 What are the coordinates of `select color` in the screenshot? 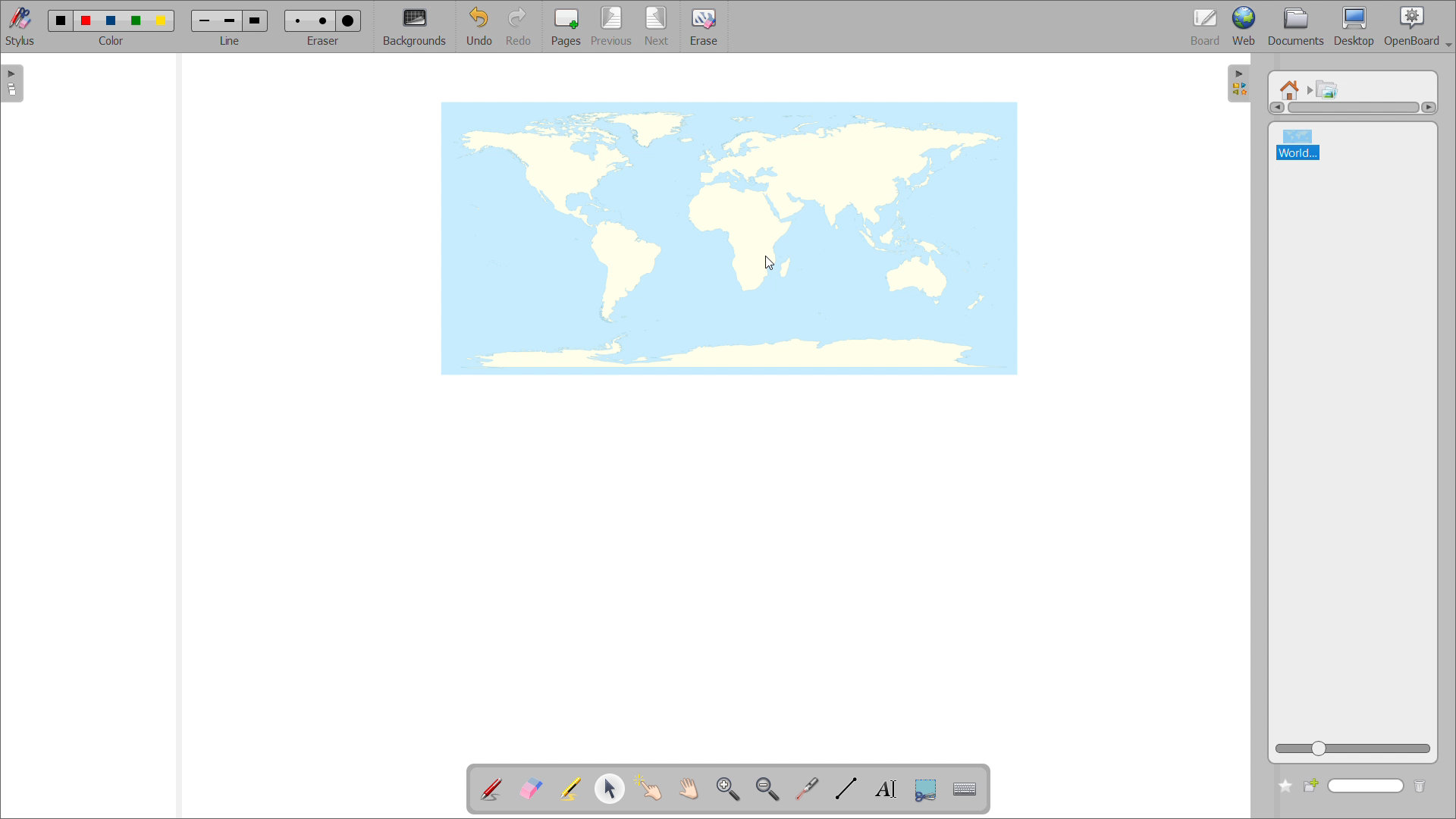 It's located at (111, 27).